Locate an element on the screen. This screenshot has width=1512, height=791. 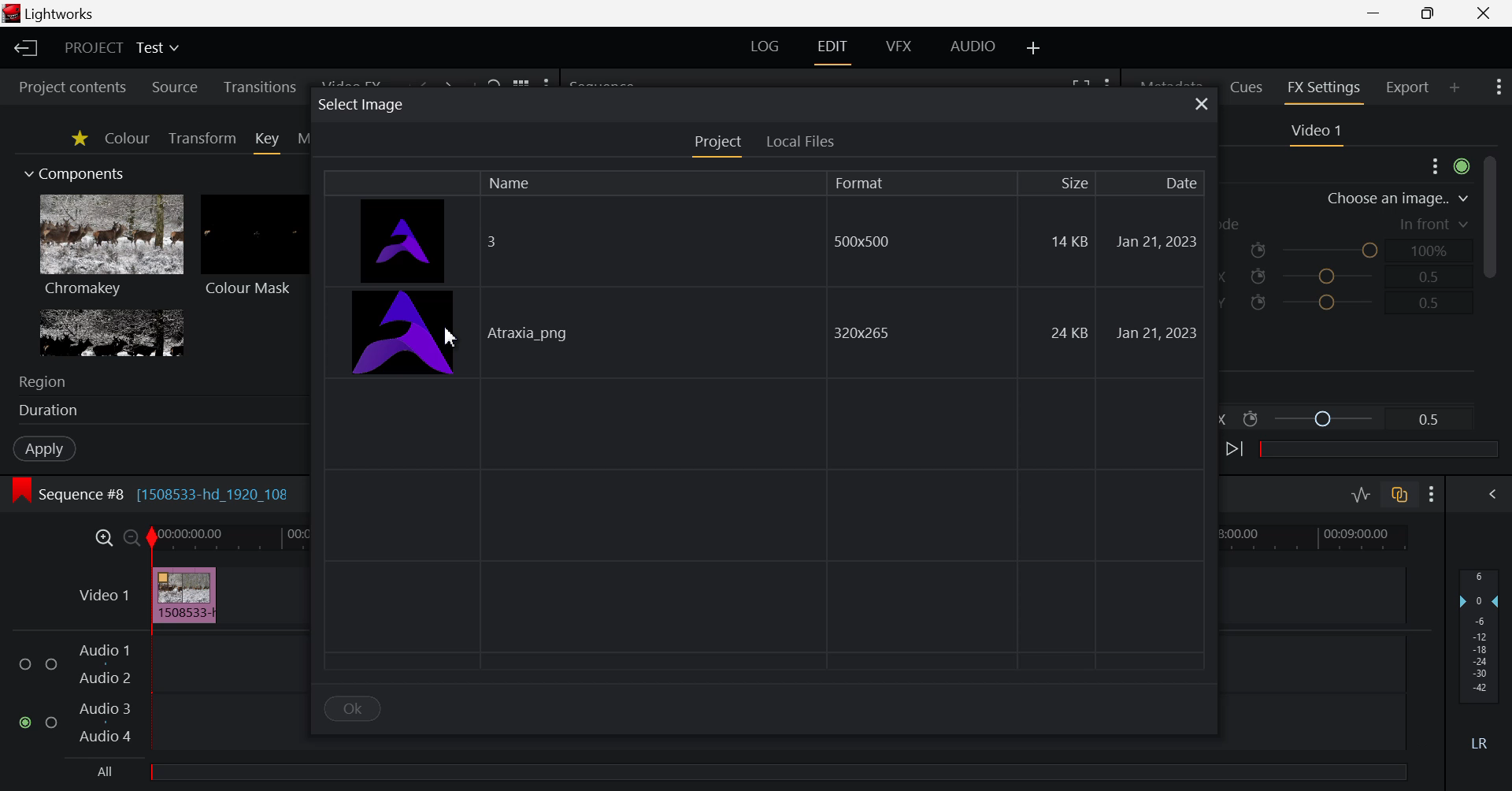
Project contents is located at coordinates (65, 85).